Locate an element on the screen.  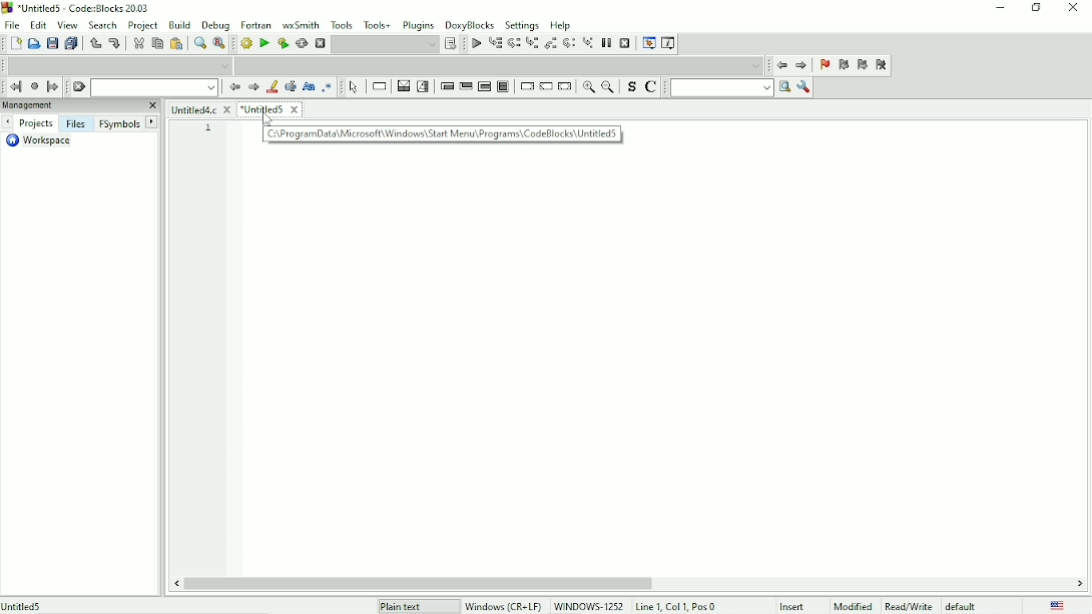
2 is located at coordinates (209, 144).